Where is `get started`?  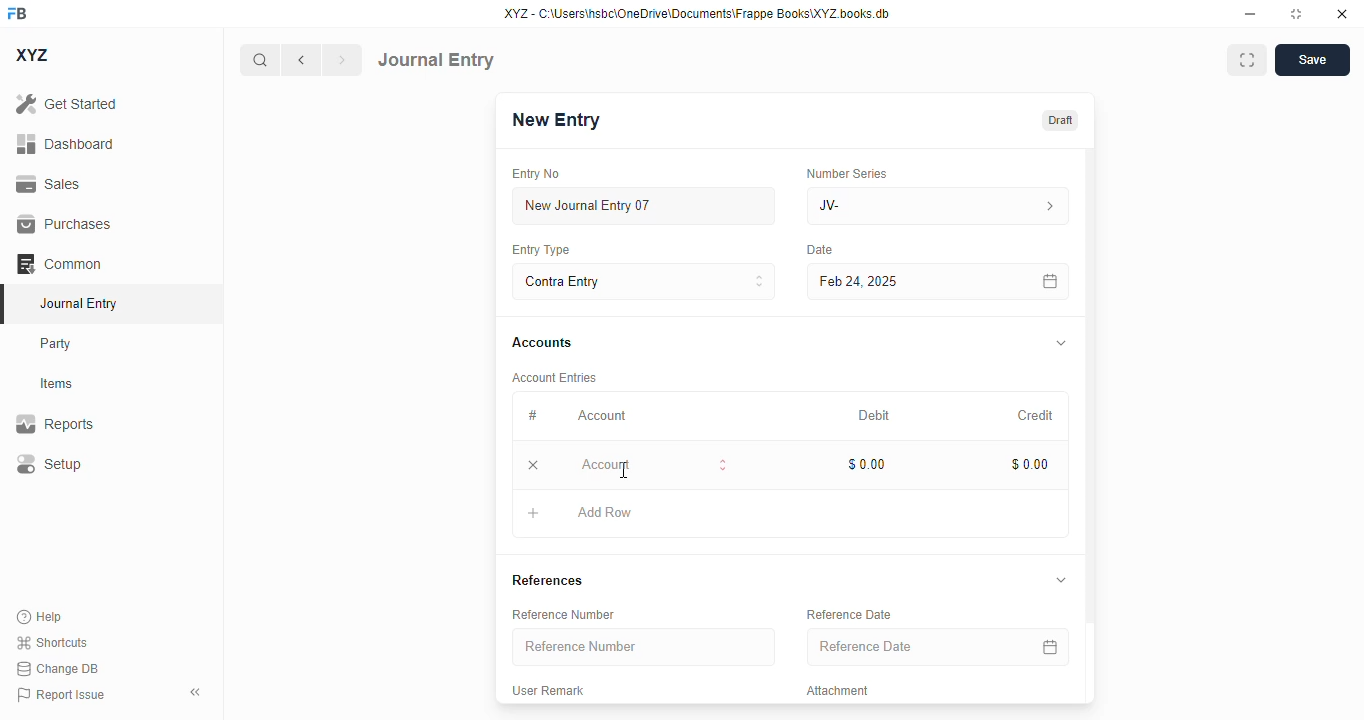 get started is located at coordinates (67, 104).